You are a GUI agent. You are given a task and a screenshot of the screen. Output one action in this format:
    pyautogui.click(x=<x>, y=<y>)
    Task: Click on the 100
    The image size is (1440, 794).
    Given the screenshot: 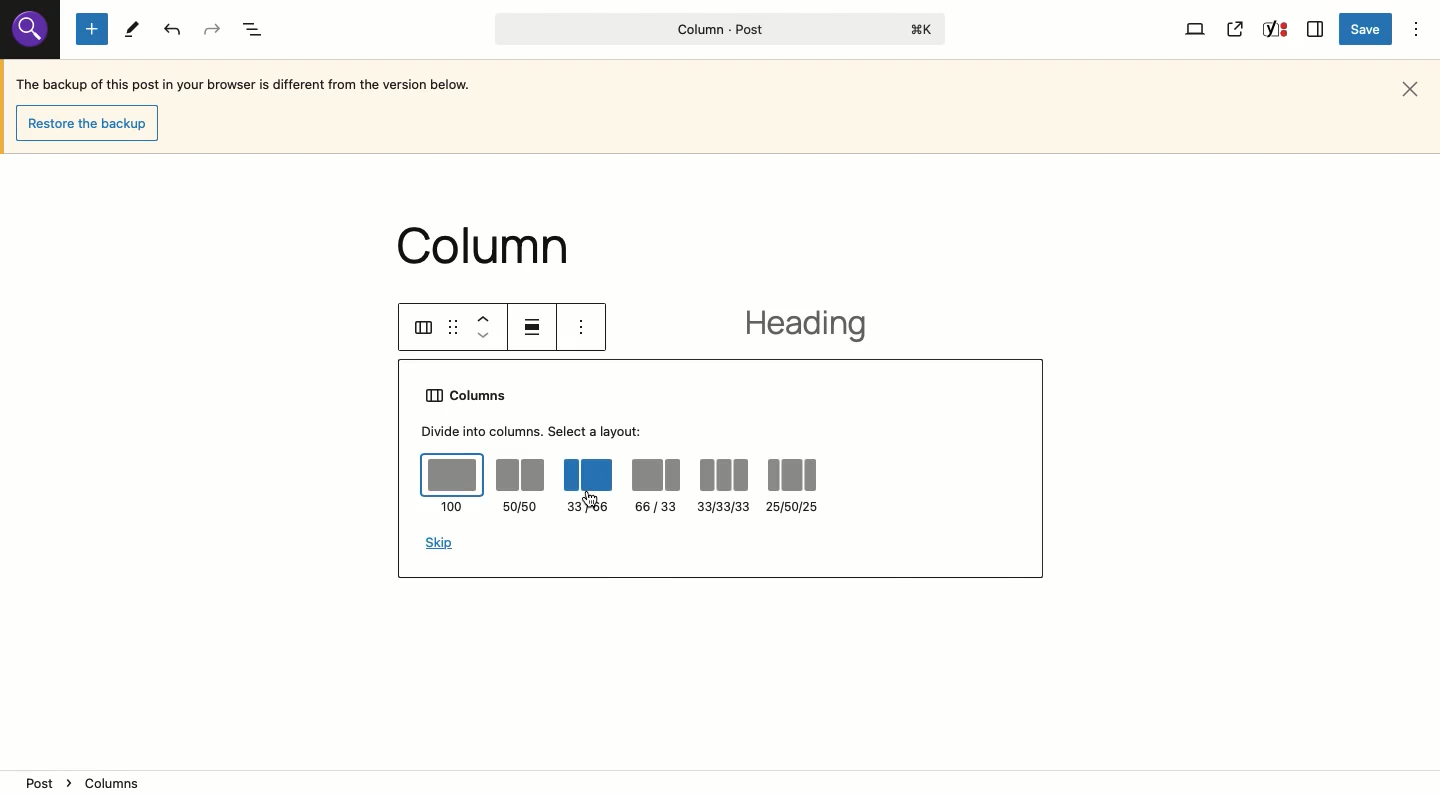 What is the action you would take?
    pyautogui.click(x=452, y=483)
    